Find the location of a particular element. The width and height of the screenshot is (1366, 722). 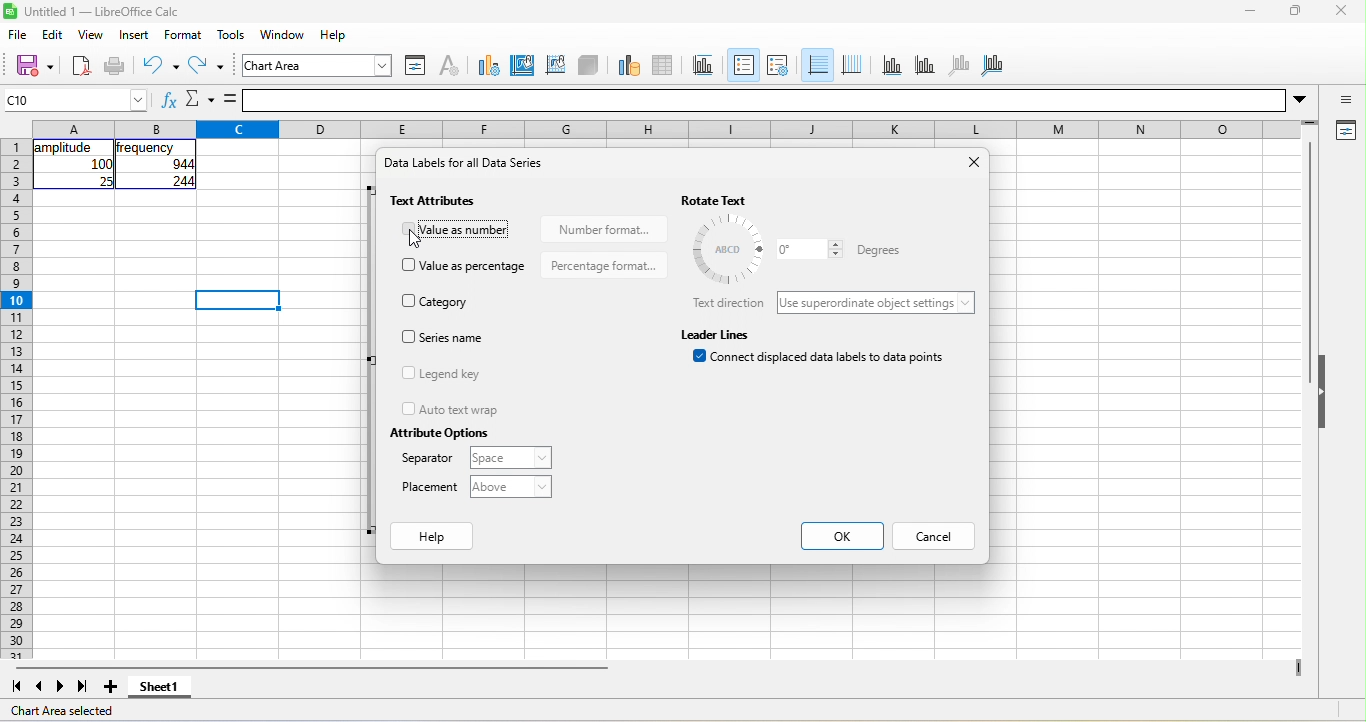

100 is located at coordinates (101, 164).